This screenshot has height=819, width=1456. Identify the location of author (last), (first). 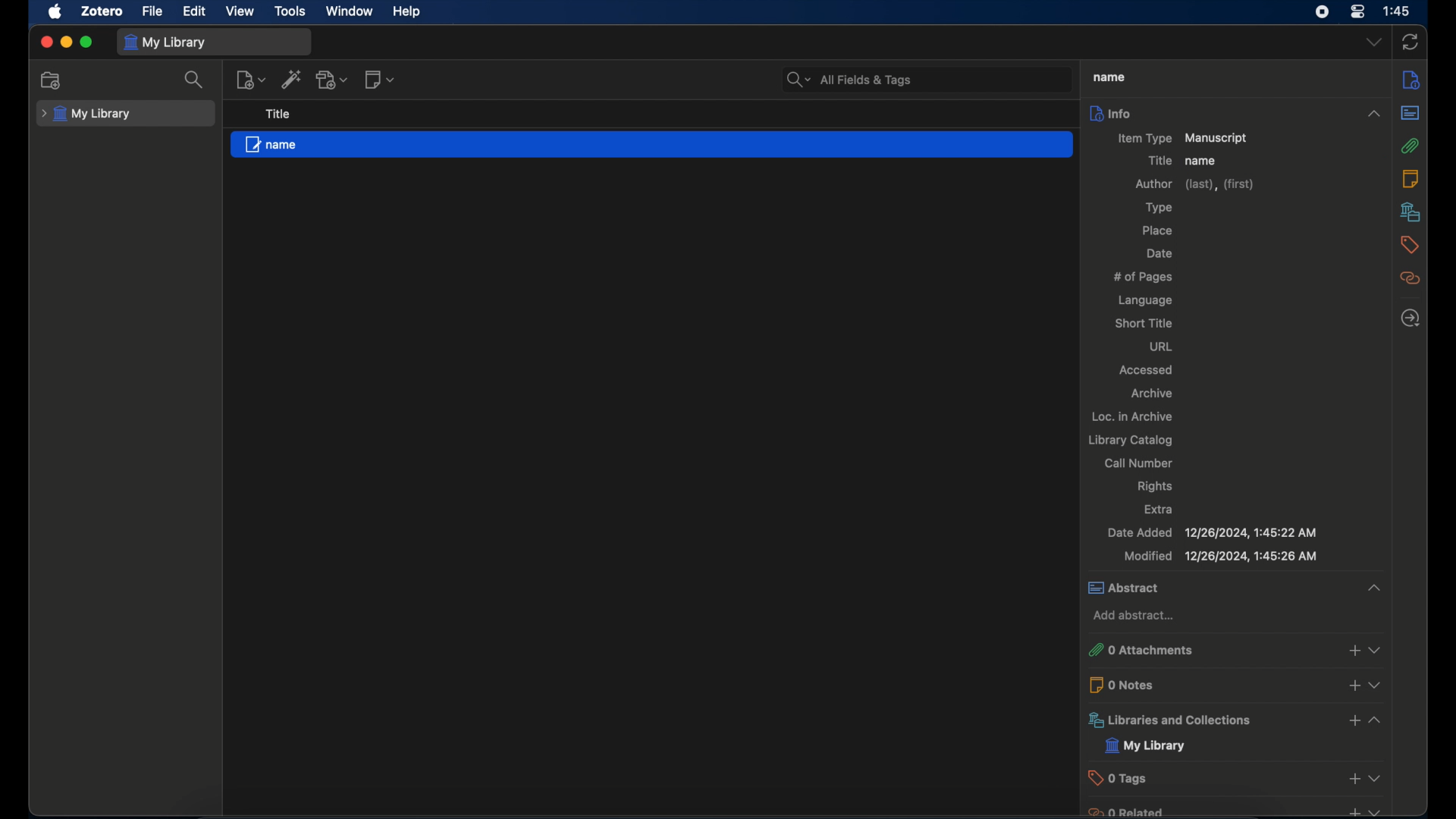
(1197, 184).